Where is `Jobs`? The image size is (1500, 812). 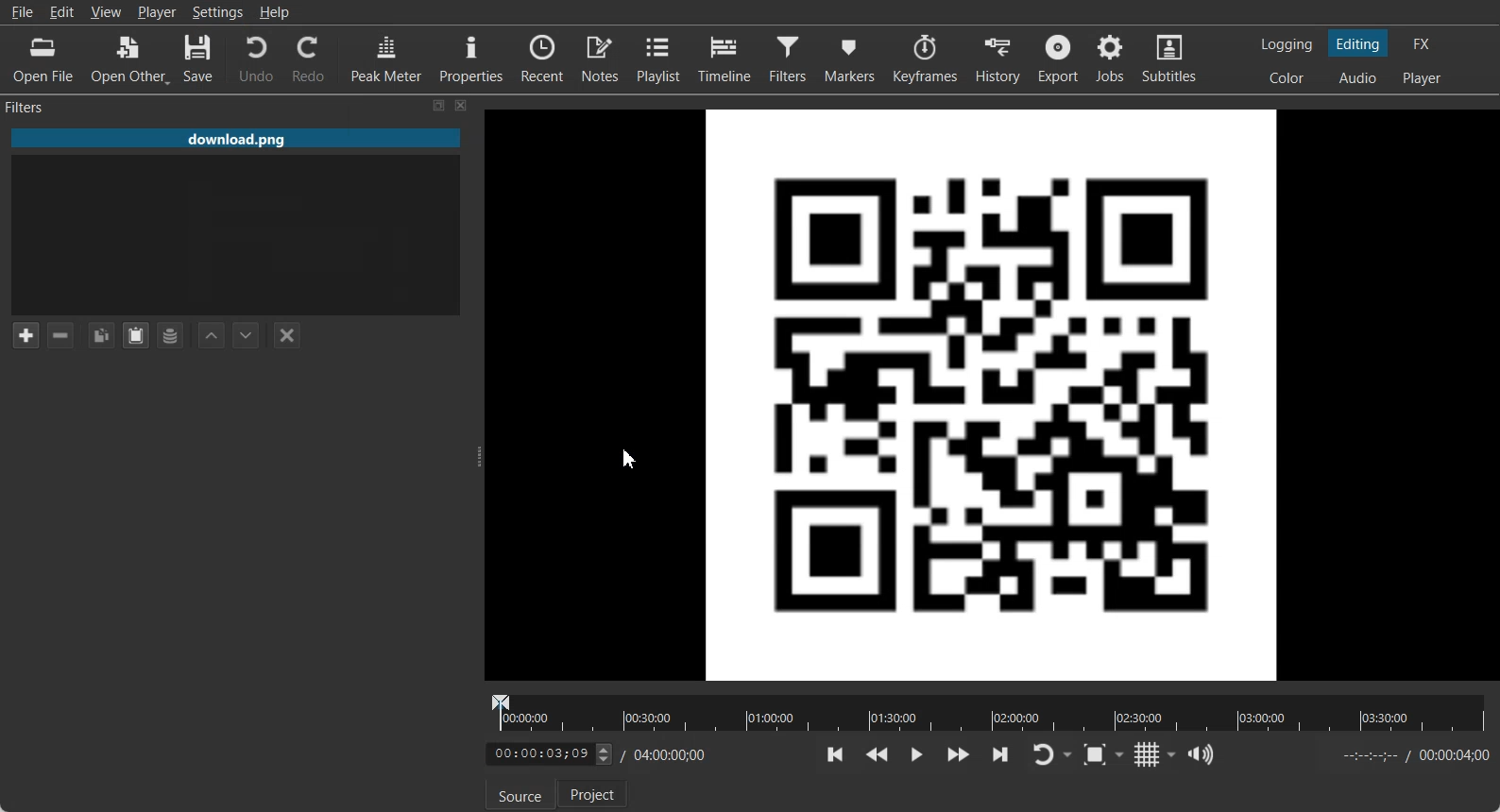
Jobs is located at coordinates (1112, 59).